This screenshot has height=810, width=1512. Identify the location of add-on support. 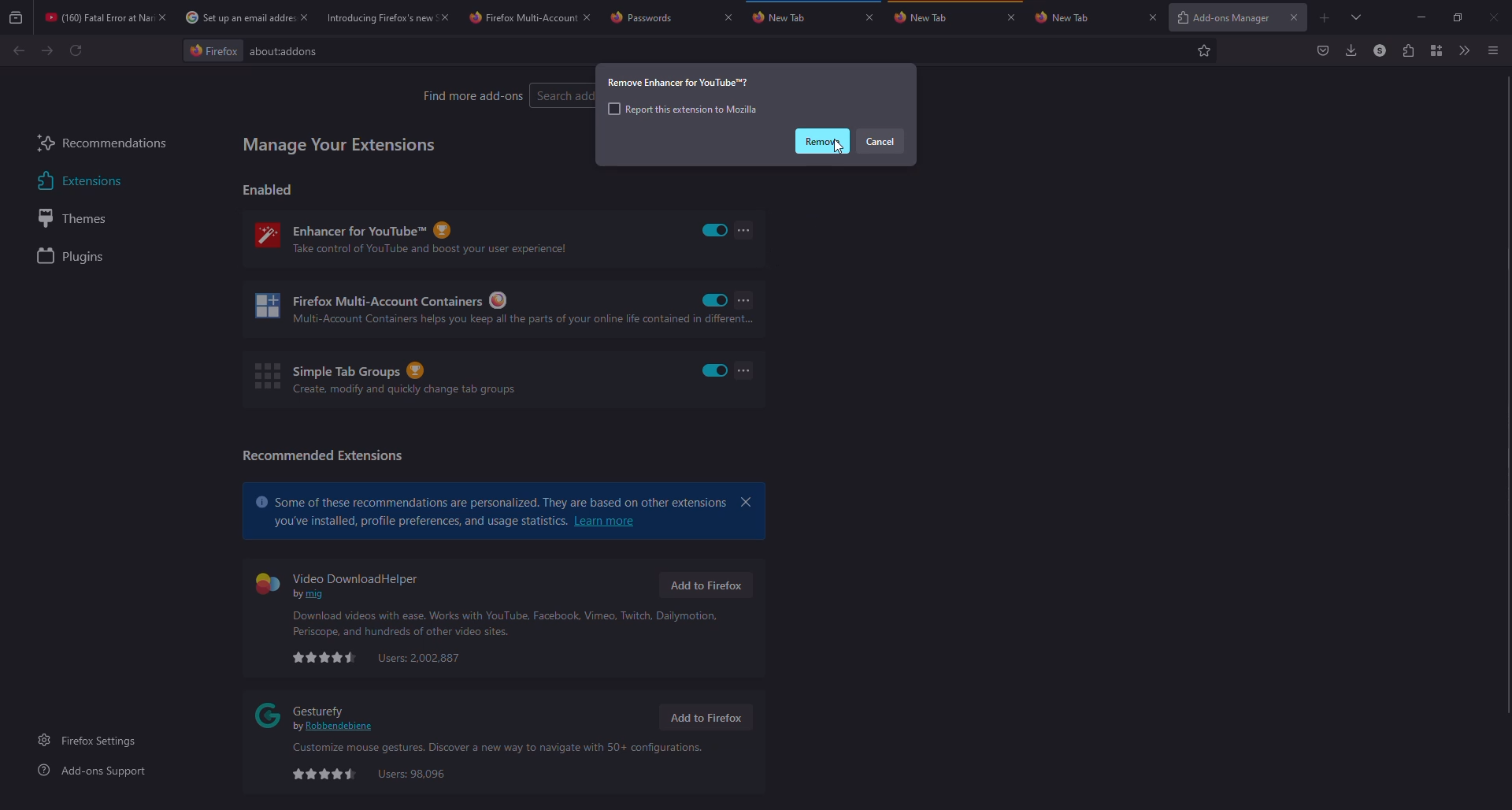
(95, 771).